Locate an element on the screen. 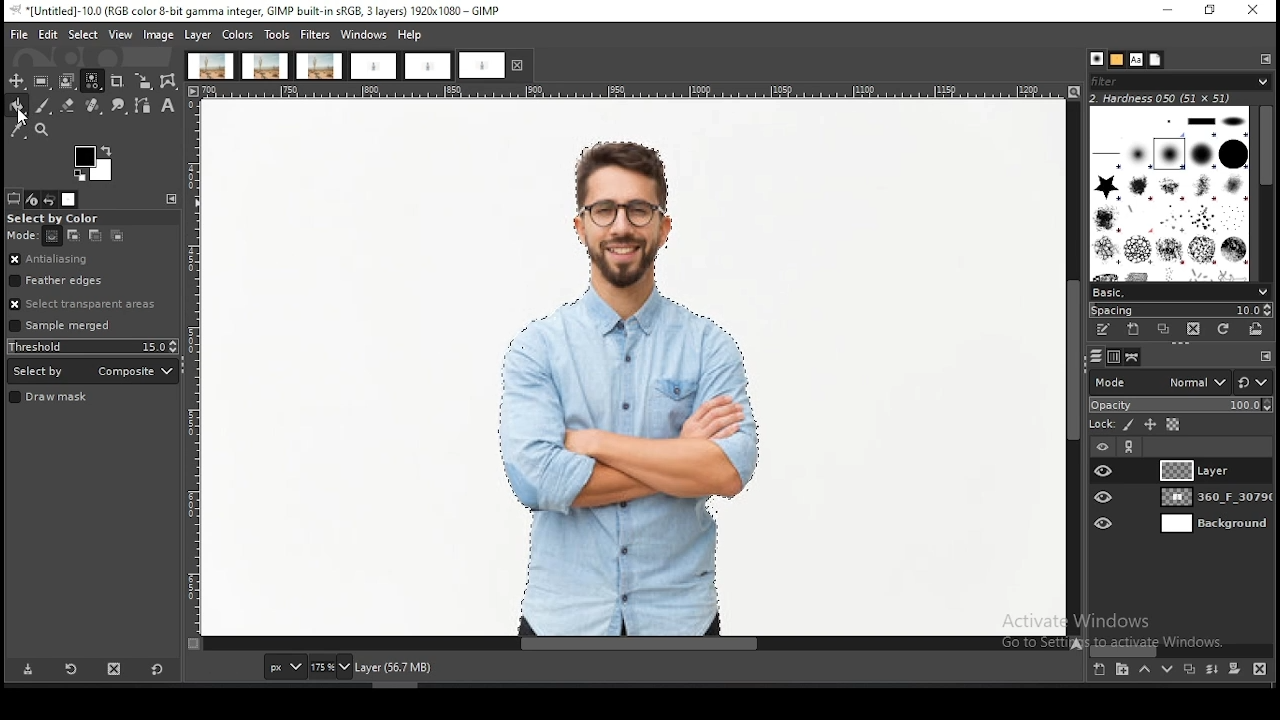 The image size is (1280, 720). rectangle select tool is located at coordinates (41, 81).